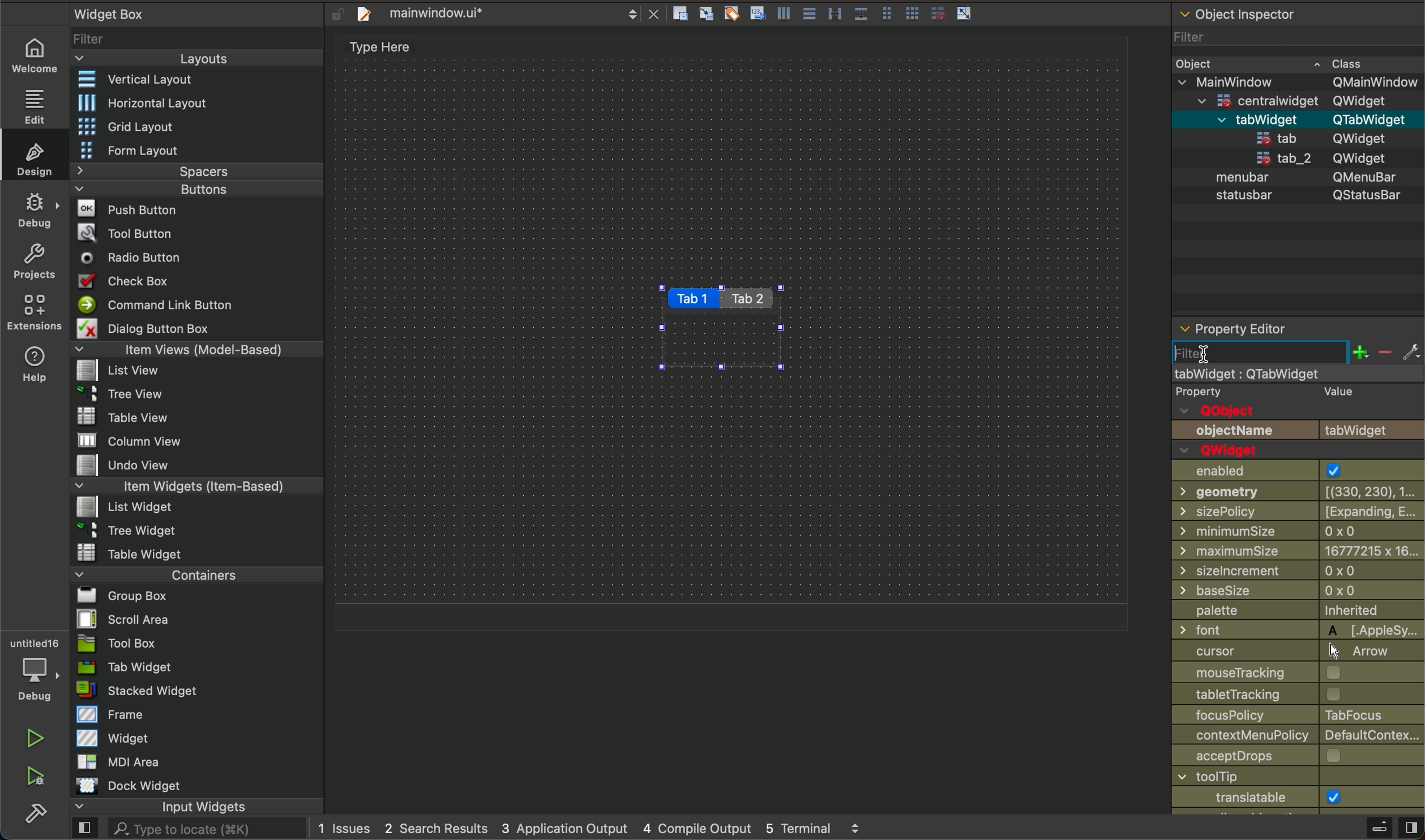 The width and height of the screenshot is (1425, 840). I want to click on welcome, so click(32, 56).